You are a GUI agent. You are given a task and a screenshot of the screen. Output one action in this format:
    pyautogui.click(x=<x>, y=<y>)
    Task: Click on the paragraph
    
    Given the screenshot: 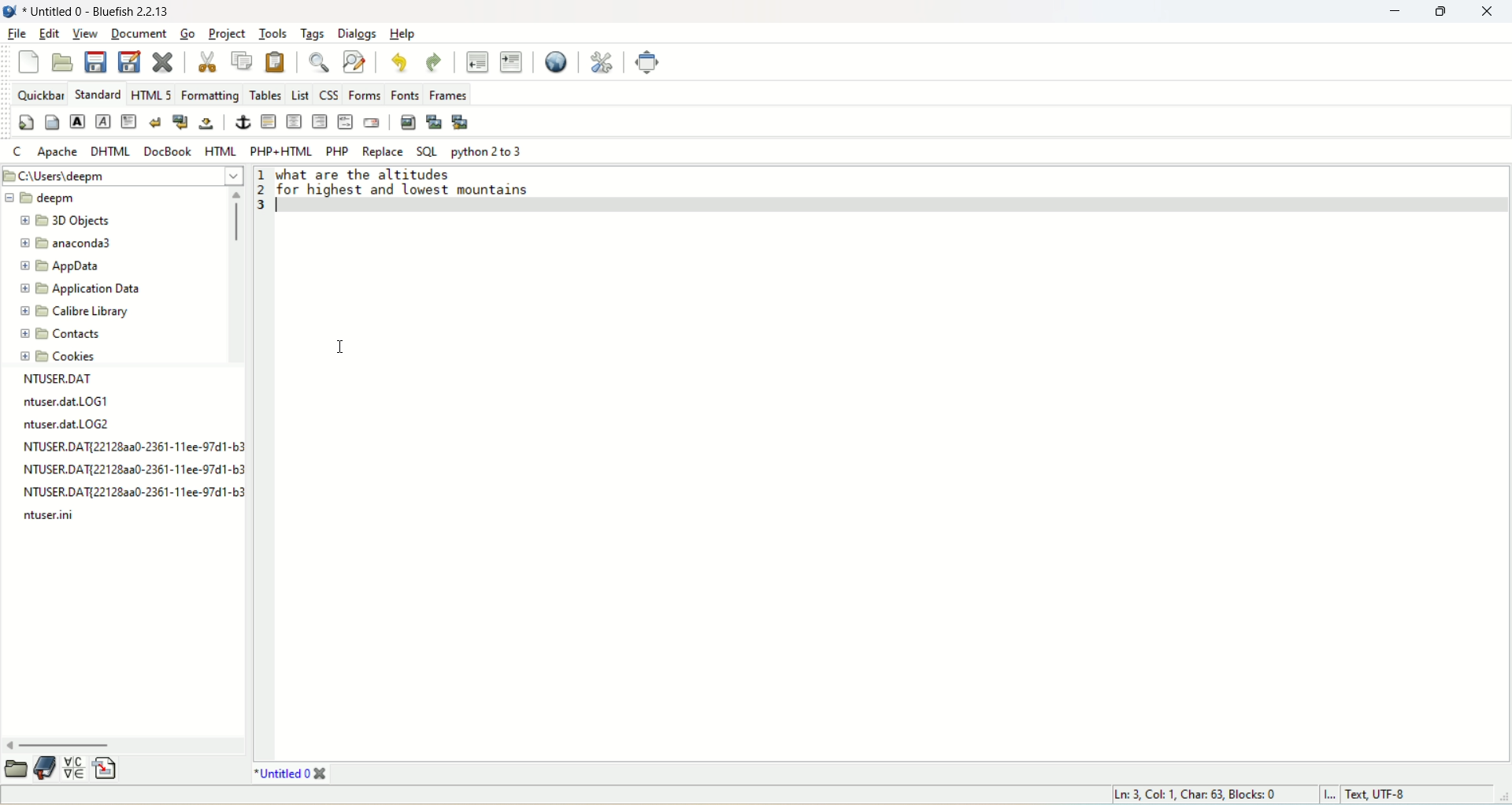 What is the action you would take?
    pyautogui.click(x=128, y=121)
    